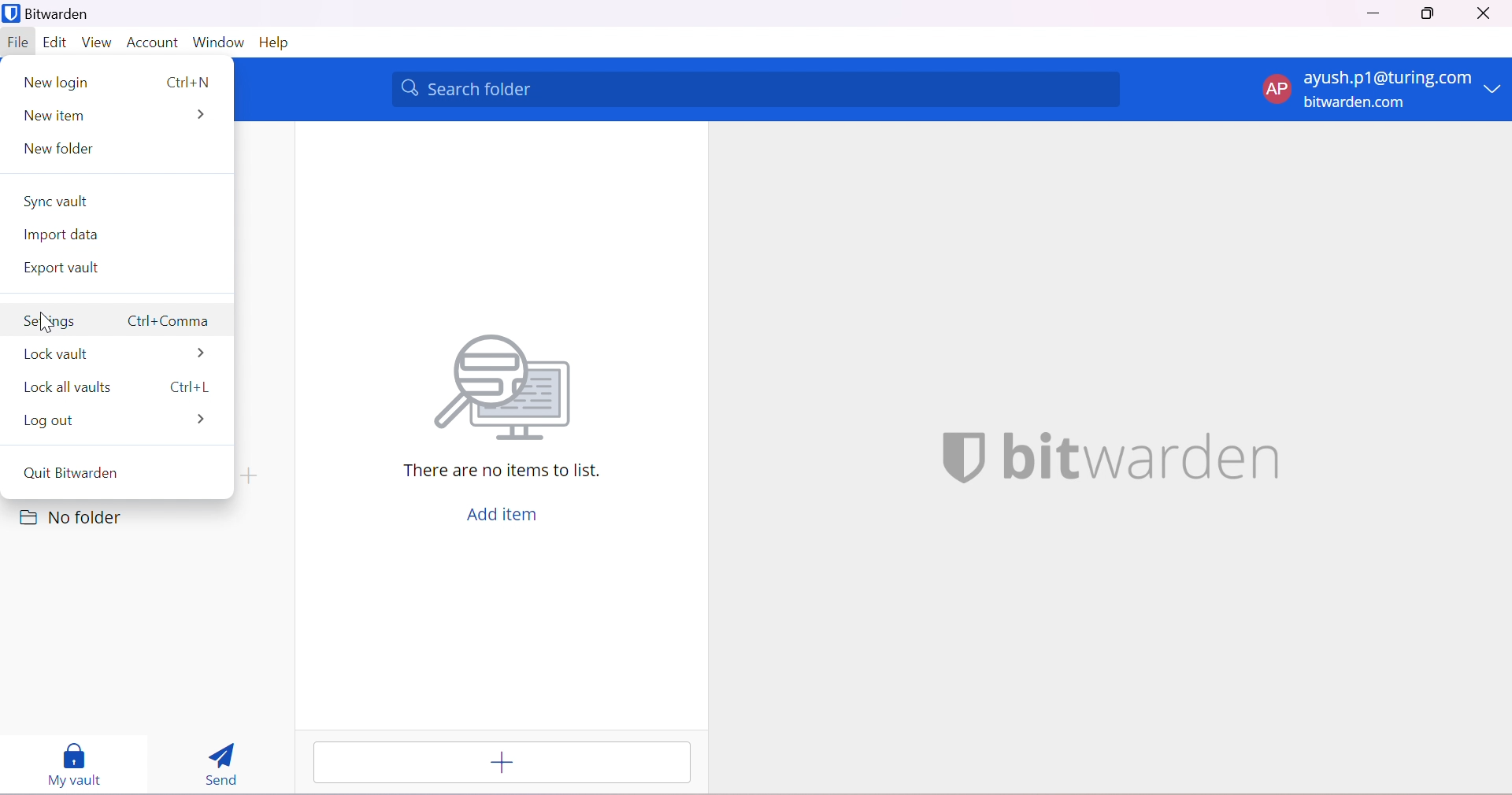  What do you see at coordinates (280, 44) in the screenshot?
I see `Help` at bounding box center [280, 44].